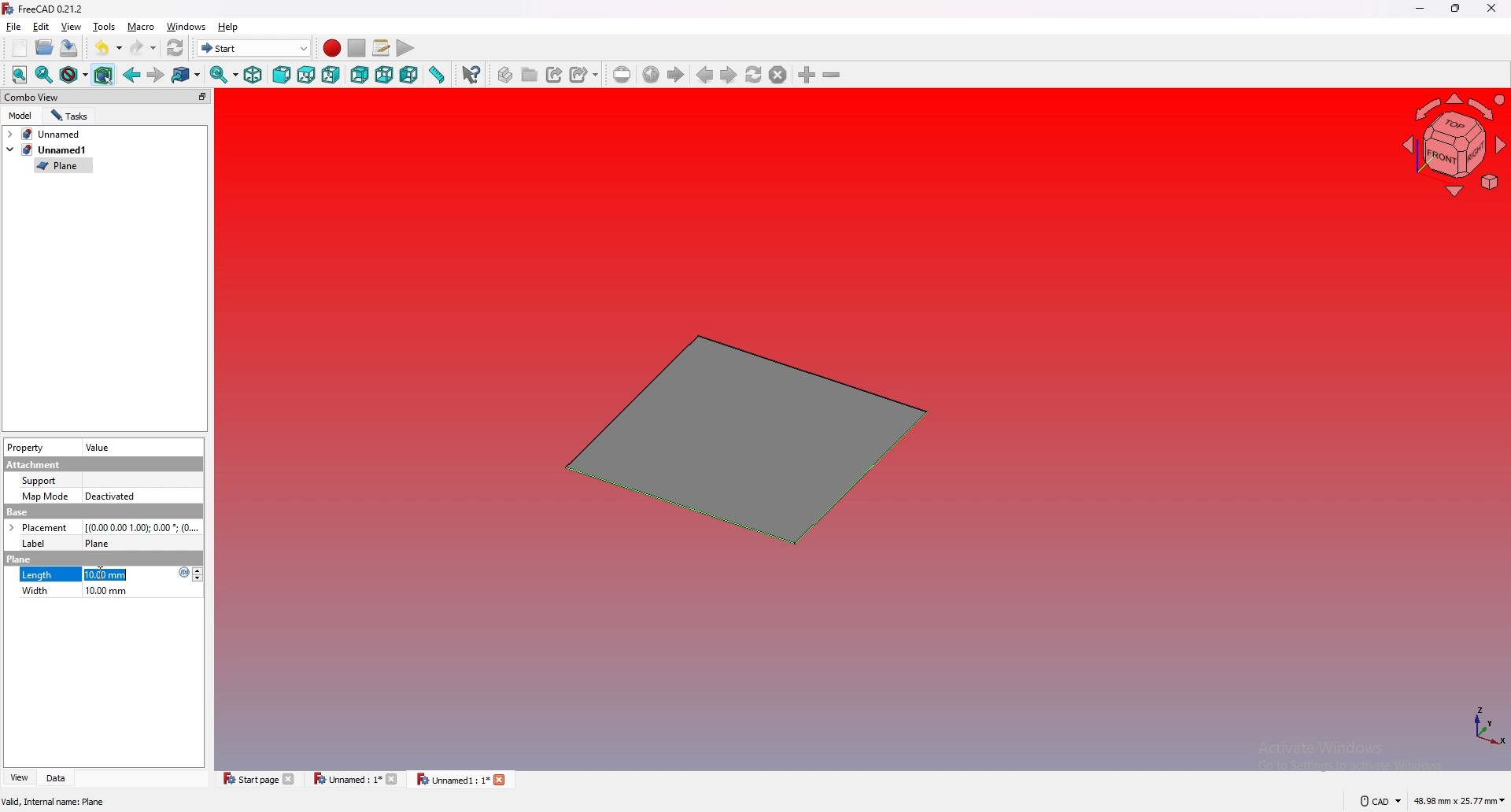 This screenshot has height=812, width=1511. Describe the element at coordinates (45, 9) in the screenshot. I see `FreeCAD 0.21.2` at that location.